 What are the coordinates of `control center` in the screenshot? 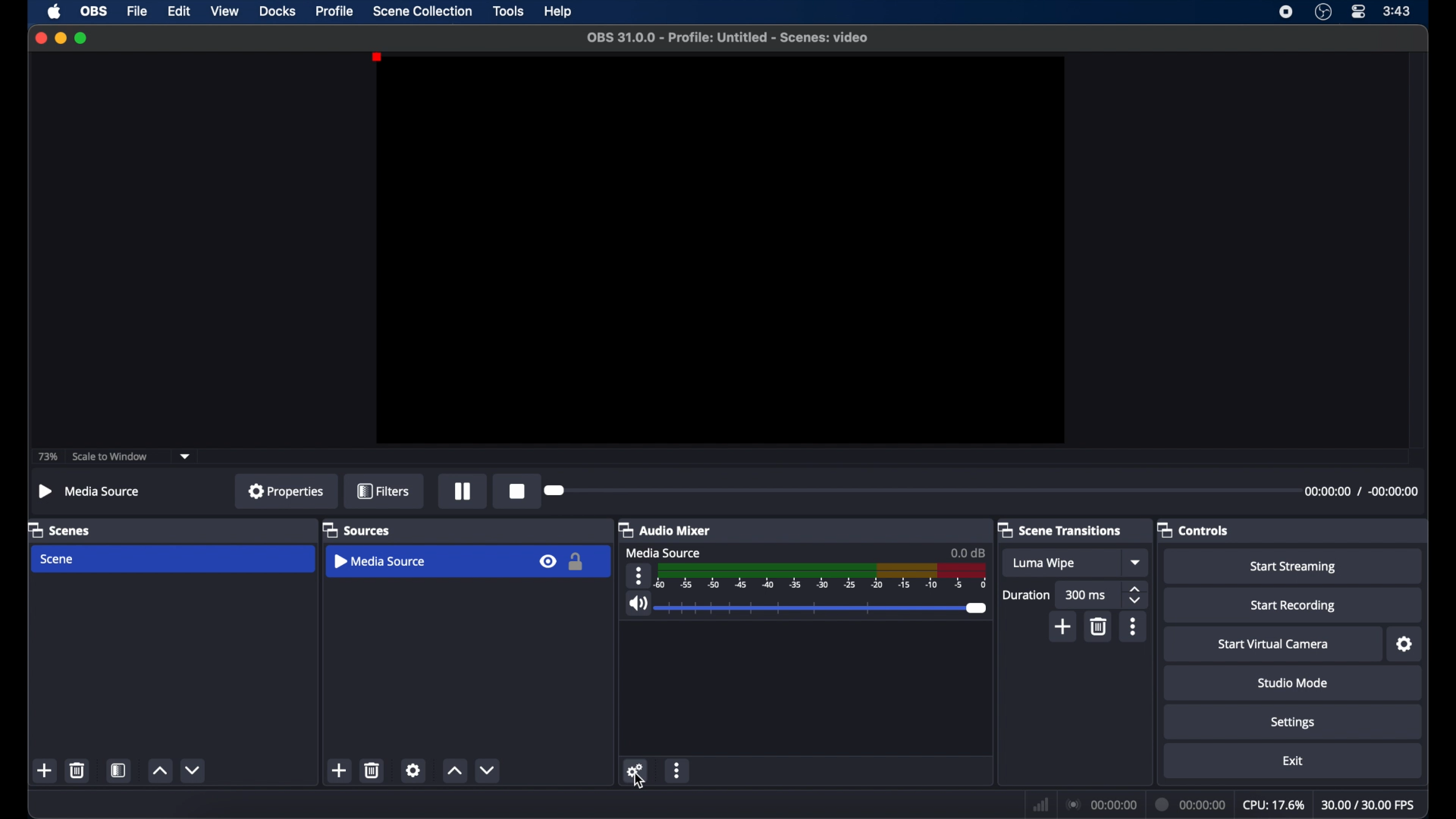 It's located at (1357, 11).